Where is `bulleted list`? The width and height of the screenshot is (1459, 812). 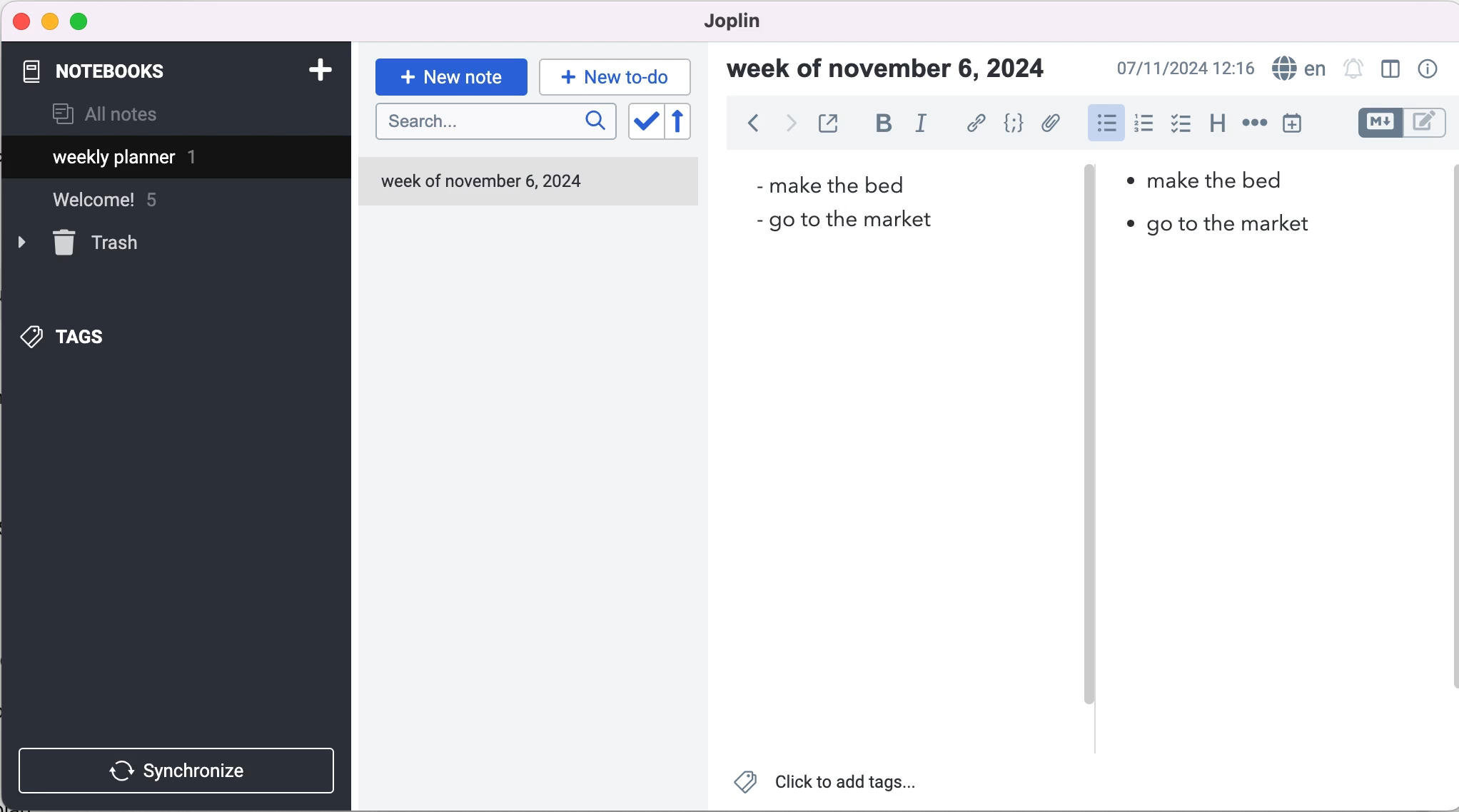 bulleted list is located at coordinates (1105, 122).